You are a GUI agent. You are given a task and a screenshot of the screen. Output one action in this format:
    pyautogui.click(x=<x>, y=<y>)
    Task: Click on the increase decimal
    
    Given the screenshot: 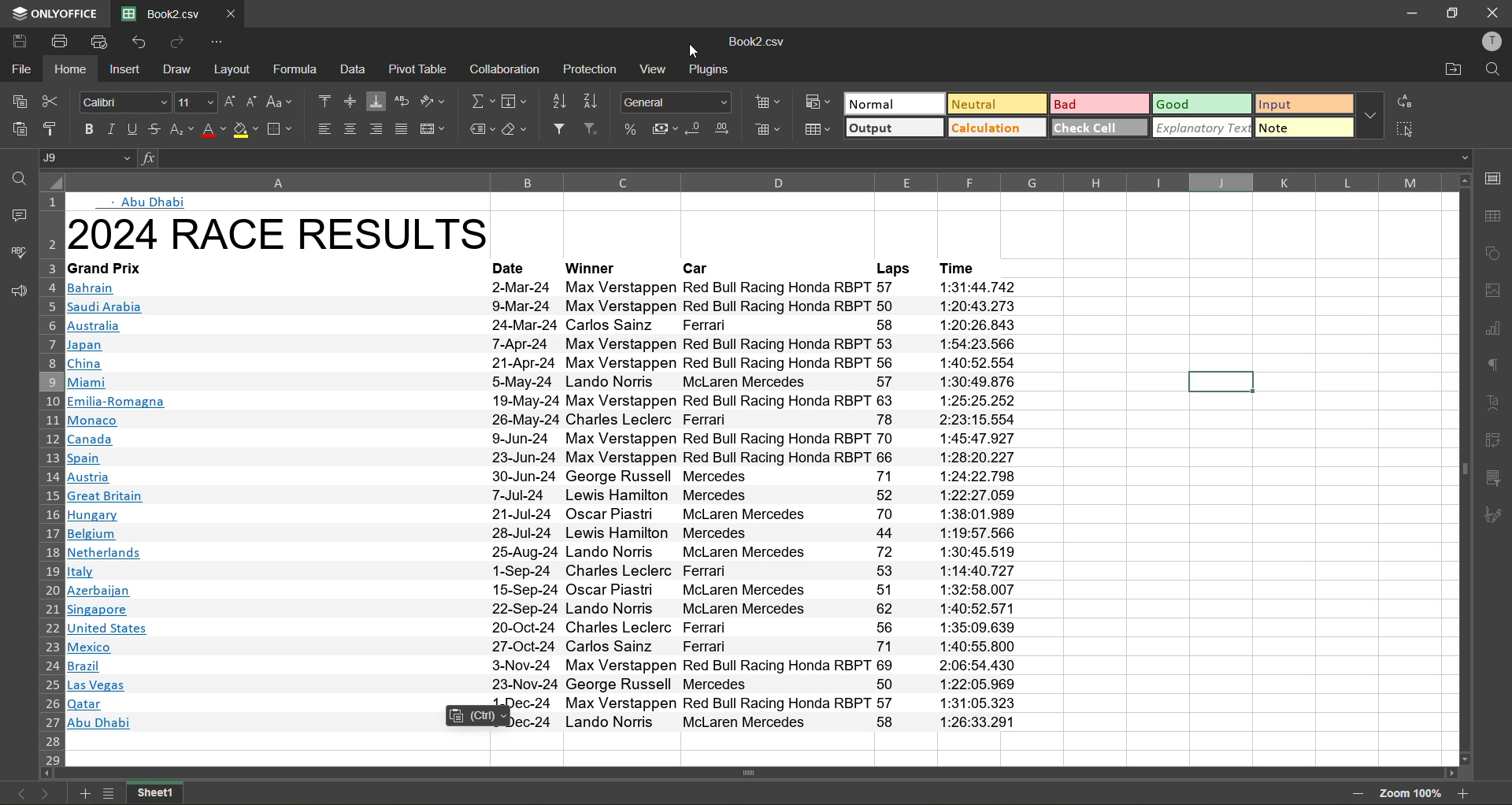 What is the action you would take?
    pyautogui.click(x=724, y=129)
    